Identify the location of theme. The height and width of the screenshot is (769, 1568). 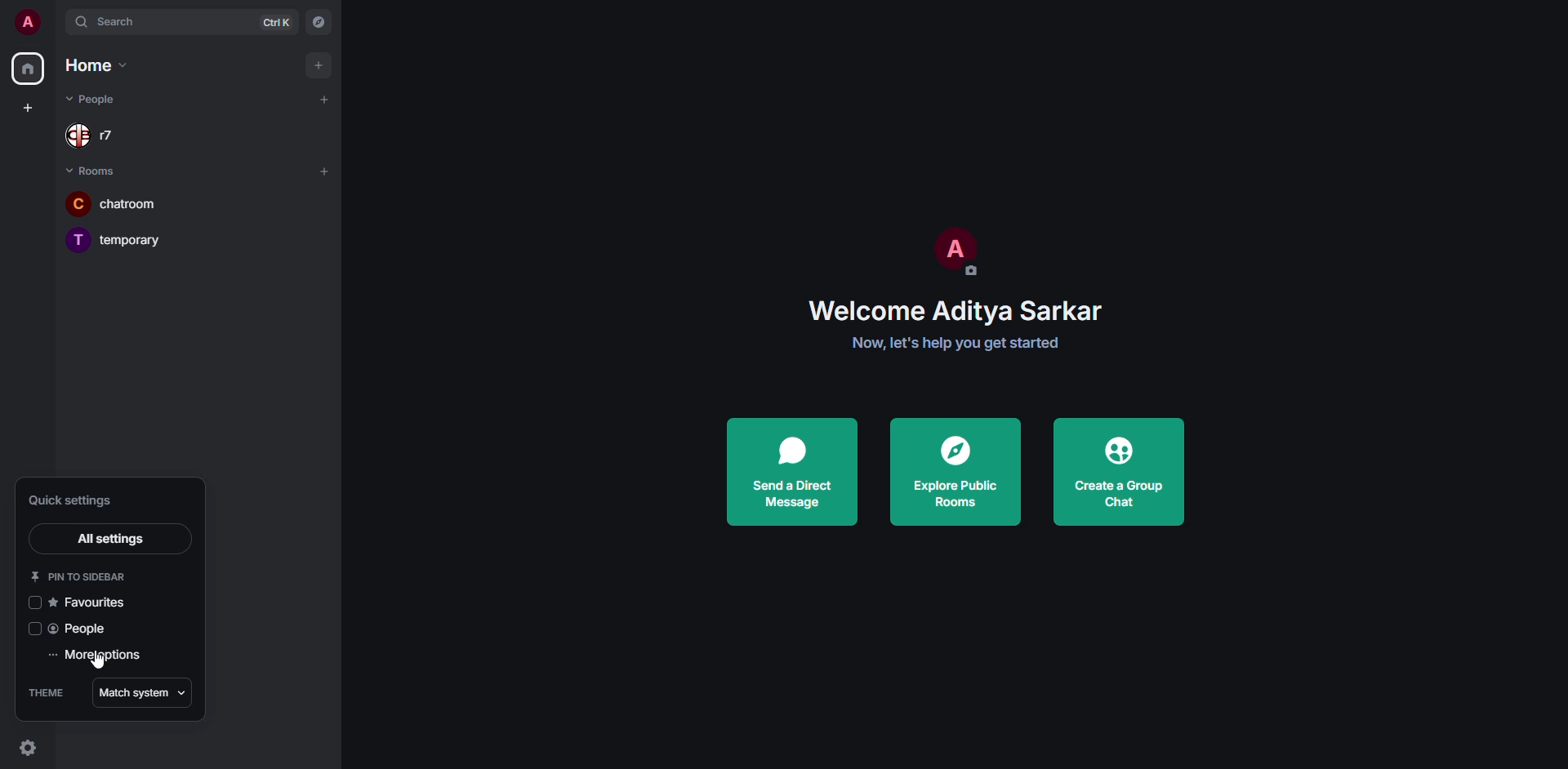
(45, 692).